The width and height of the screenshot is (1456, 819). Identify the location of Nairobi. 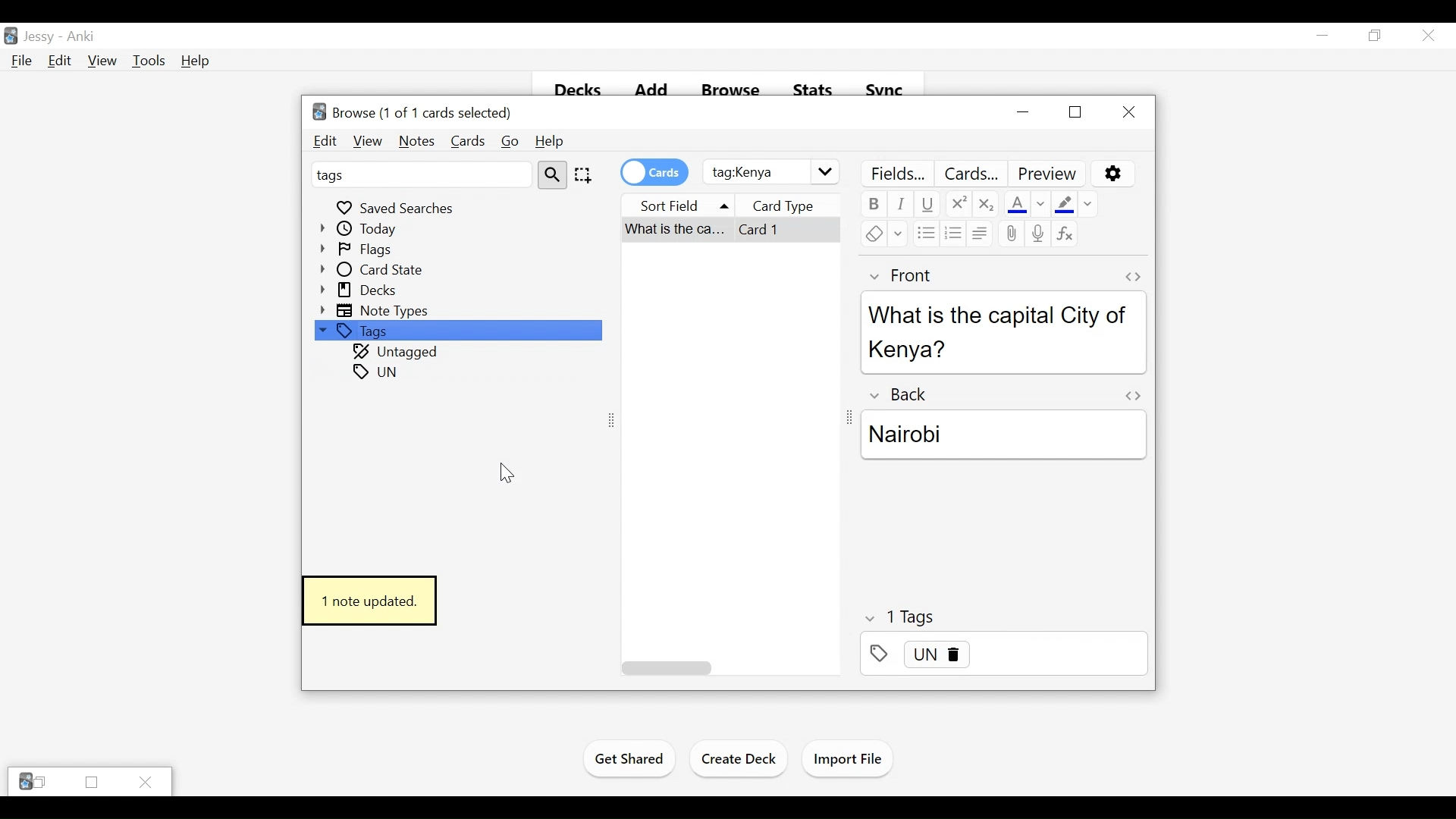
(1003, 434).